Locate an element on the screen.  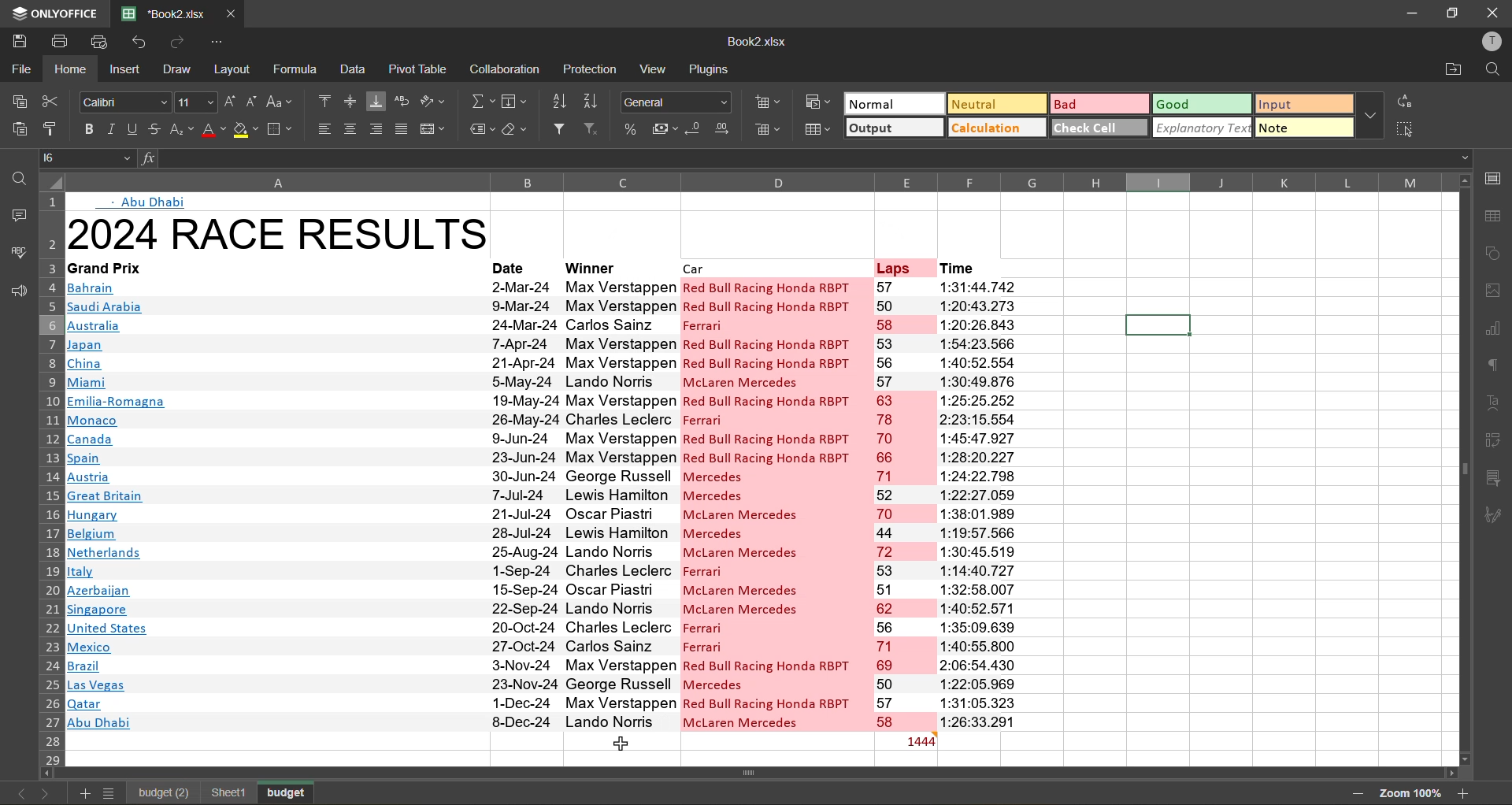
car is located at coordinates (770, 268).